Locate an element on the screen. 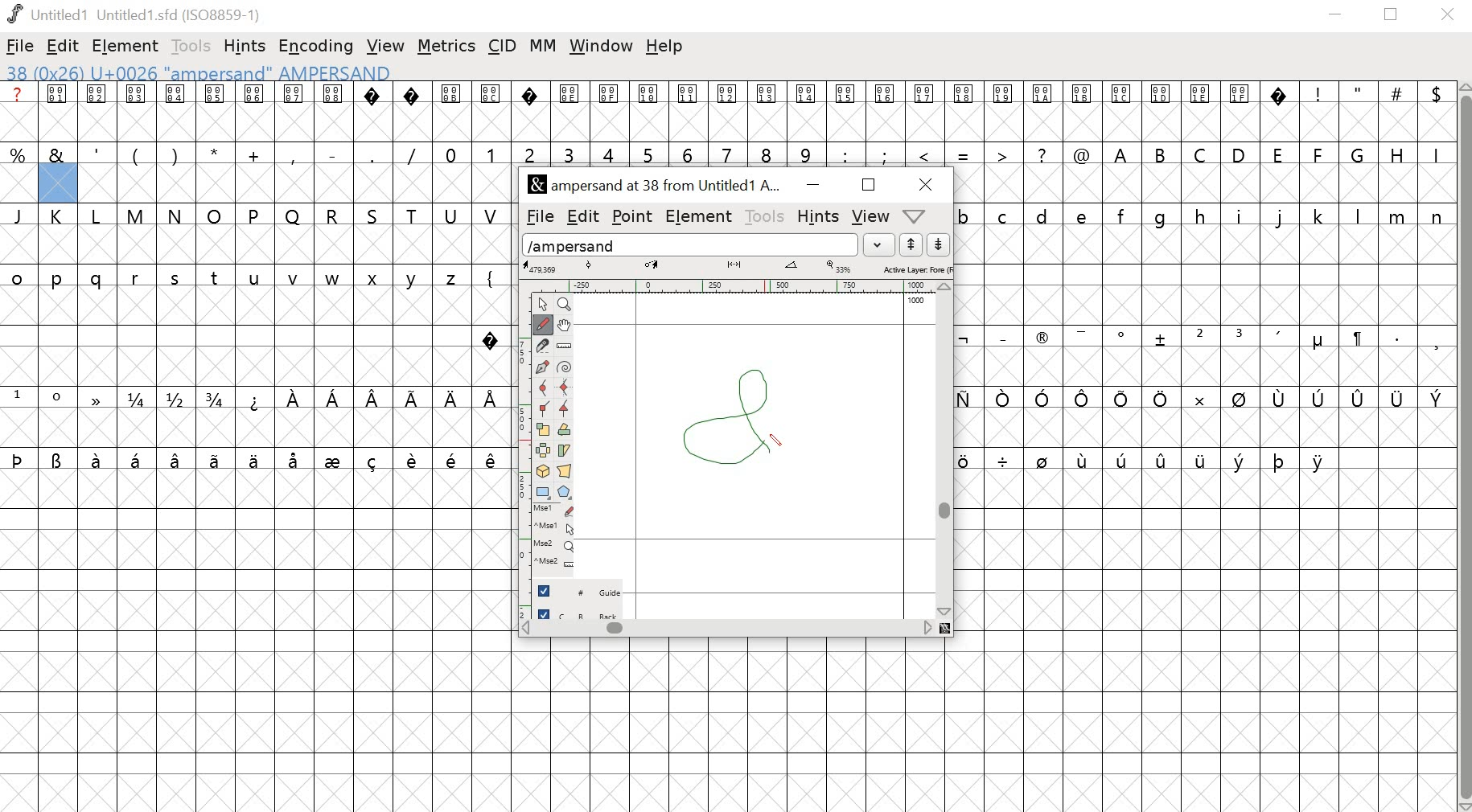 This screenshot has height=812, width=1472. ' is located at coordinates (98, 153).